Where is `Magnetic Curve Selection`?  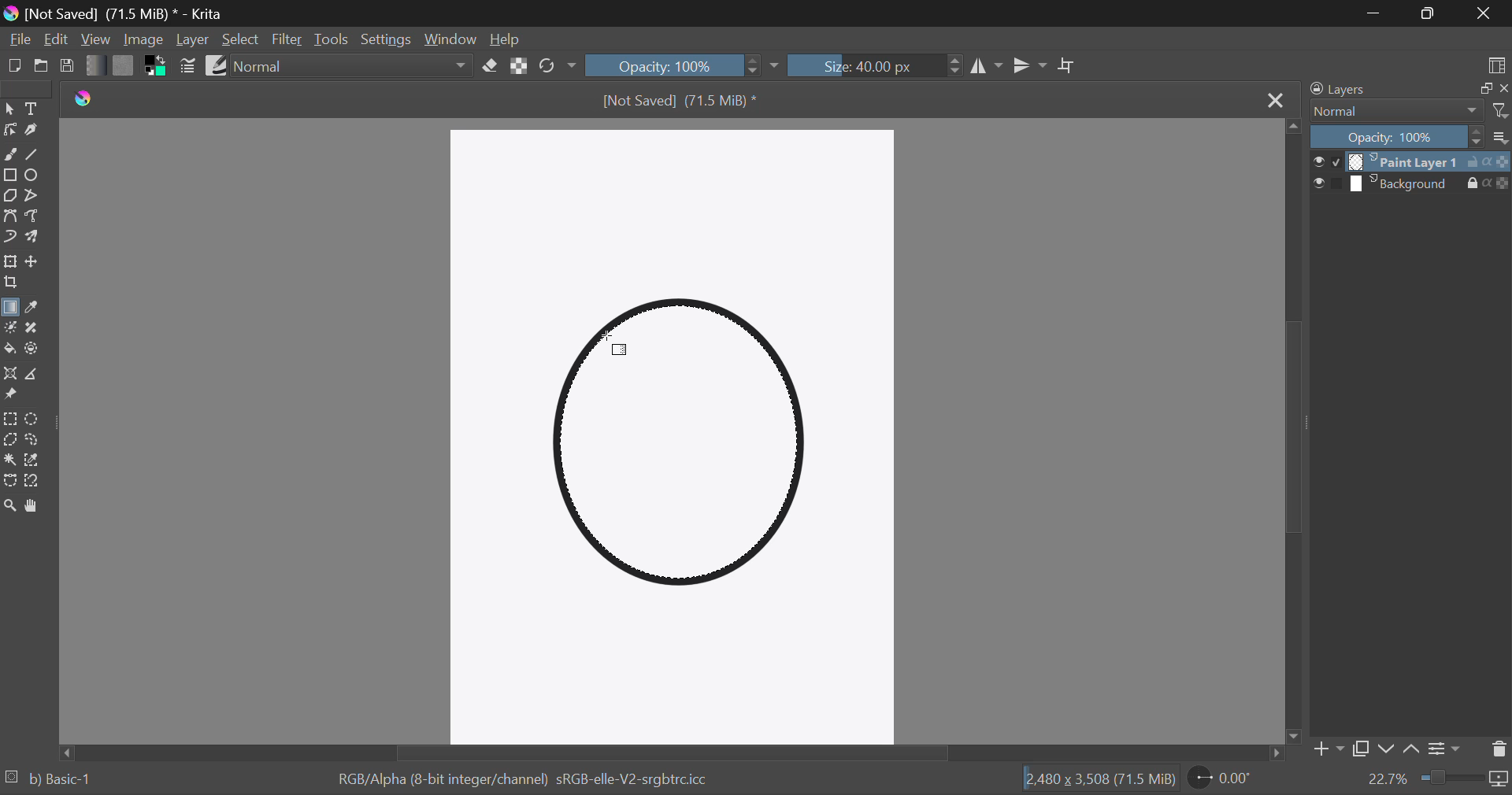 Magnetic Curve Selection is located at coordinates (37, 483).